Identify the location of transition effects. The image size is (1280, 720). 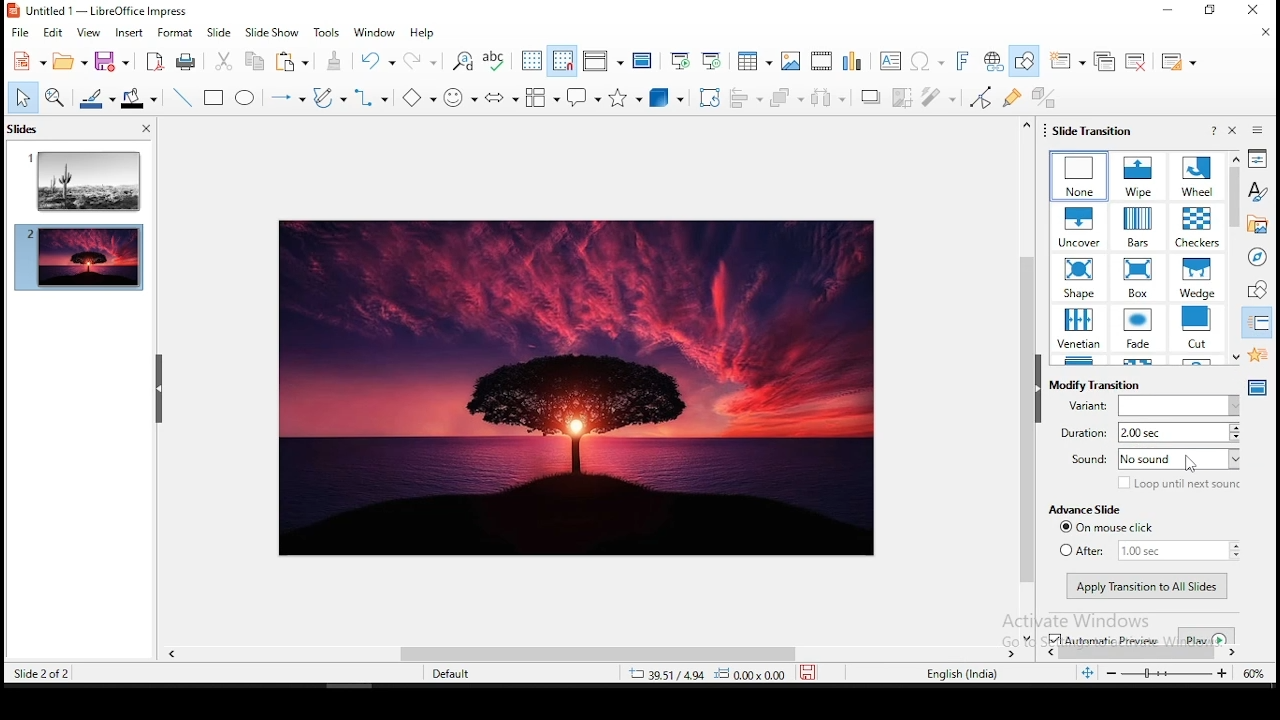
(1199, 175).